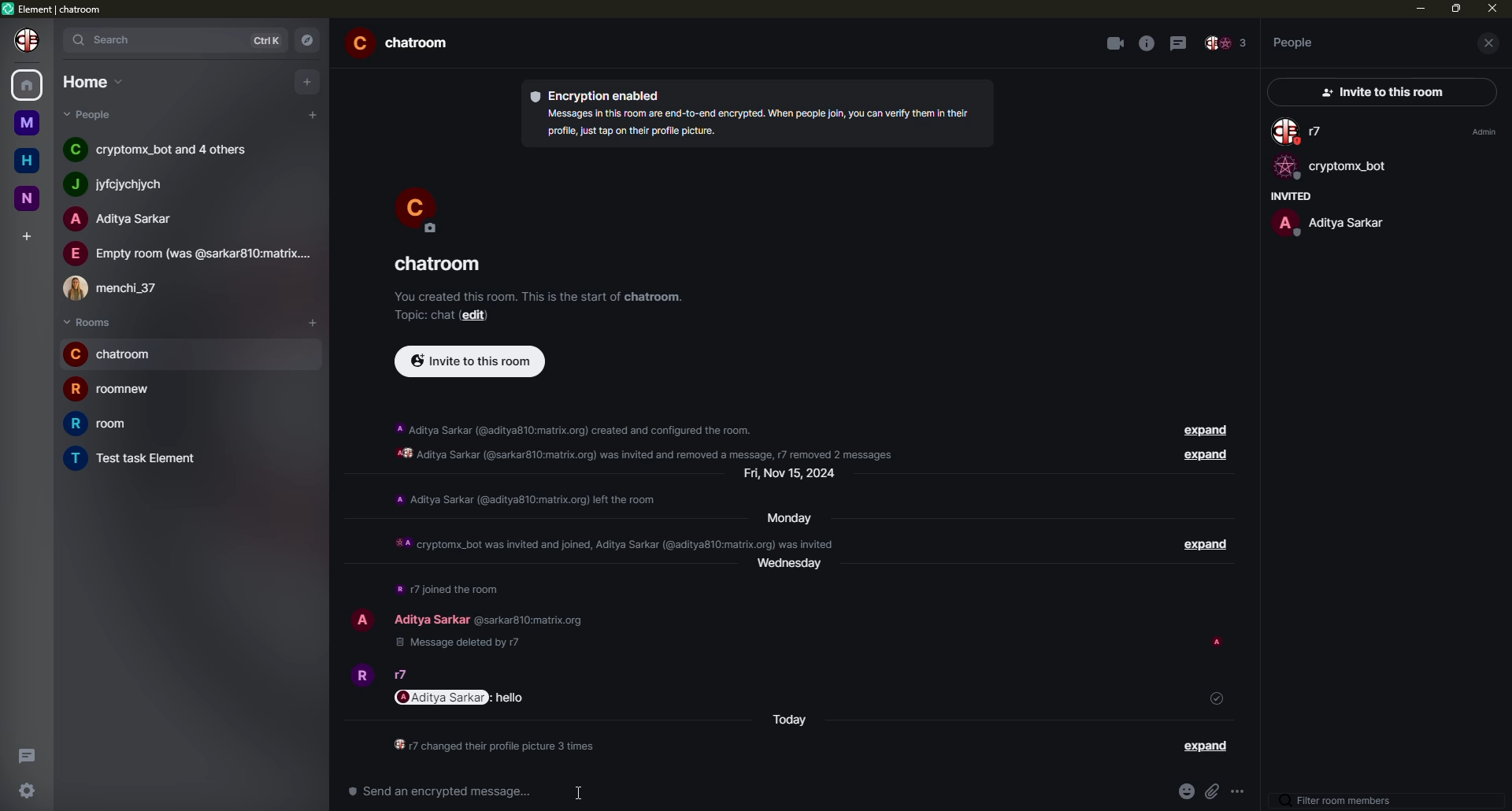  Describe the element at coordinates (1199, 546) in the screenshot. I see `expand` at that location.